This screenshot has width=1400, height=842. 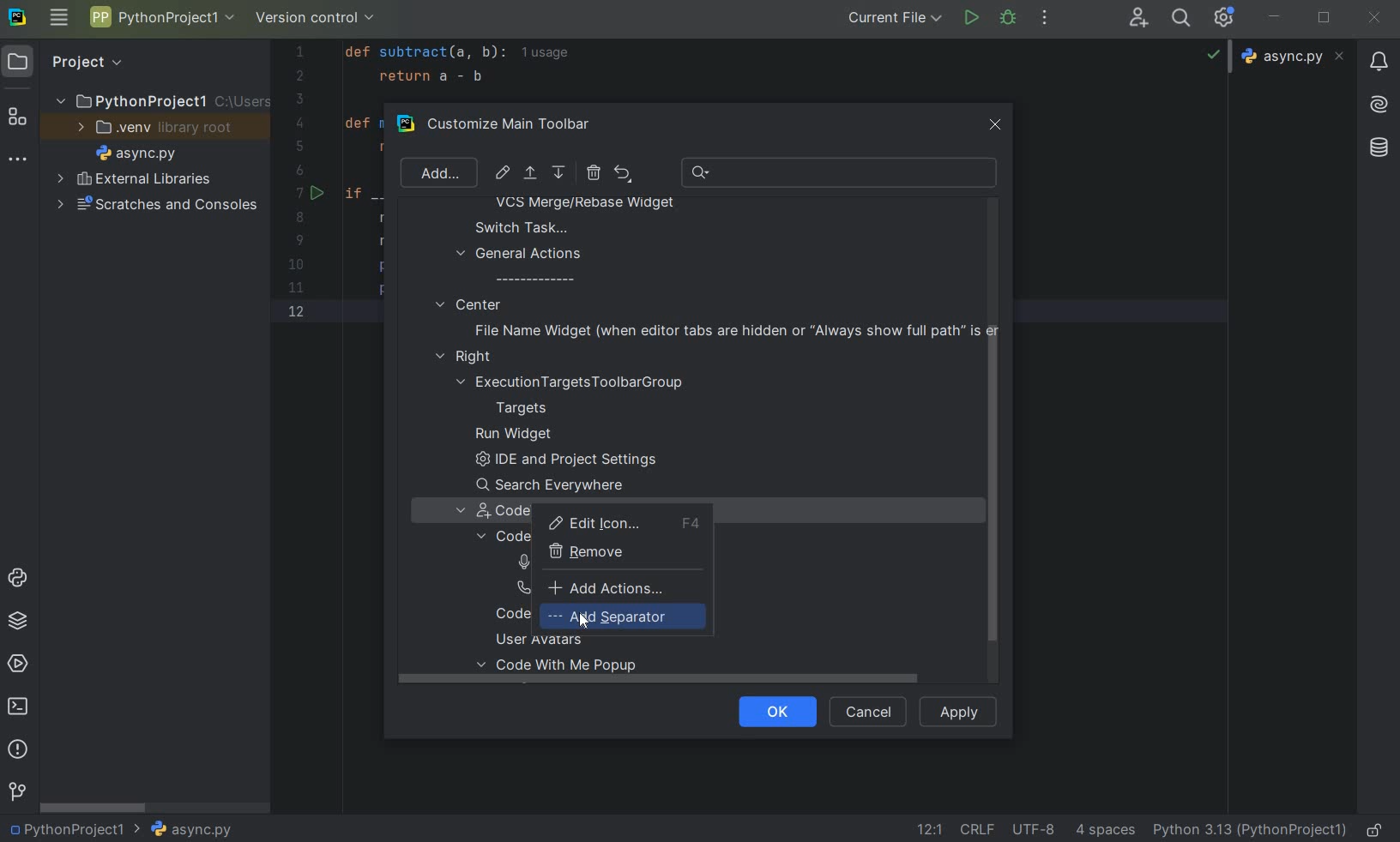 What do you see at coordinates (573, 382) in the screenshot?
I see `execution Targets Toolbar Group` at bounding box center [573, 382].